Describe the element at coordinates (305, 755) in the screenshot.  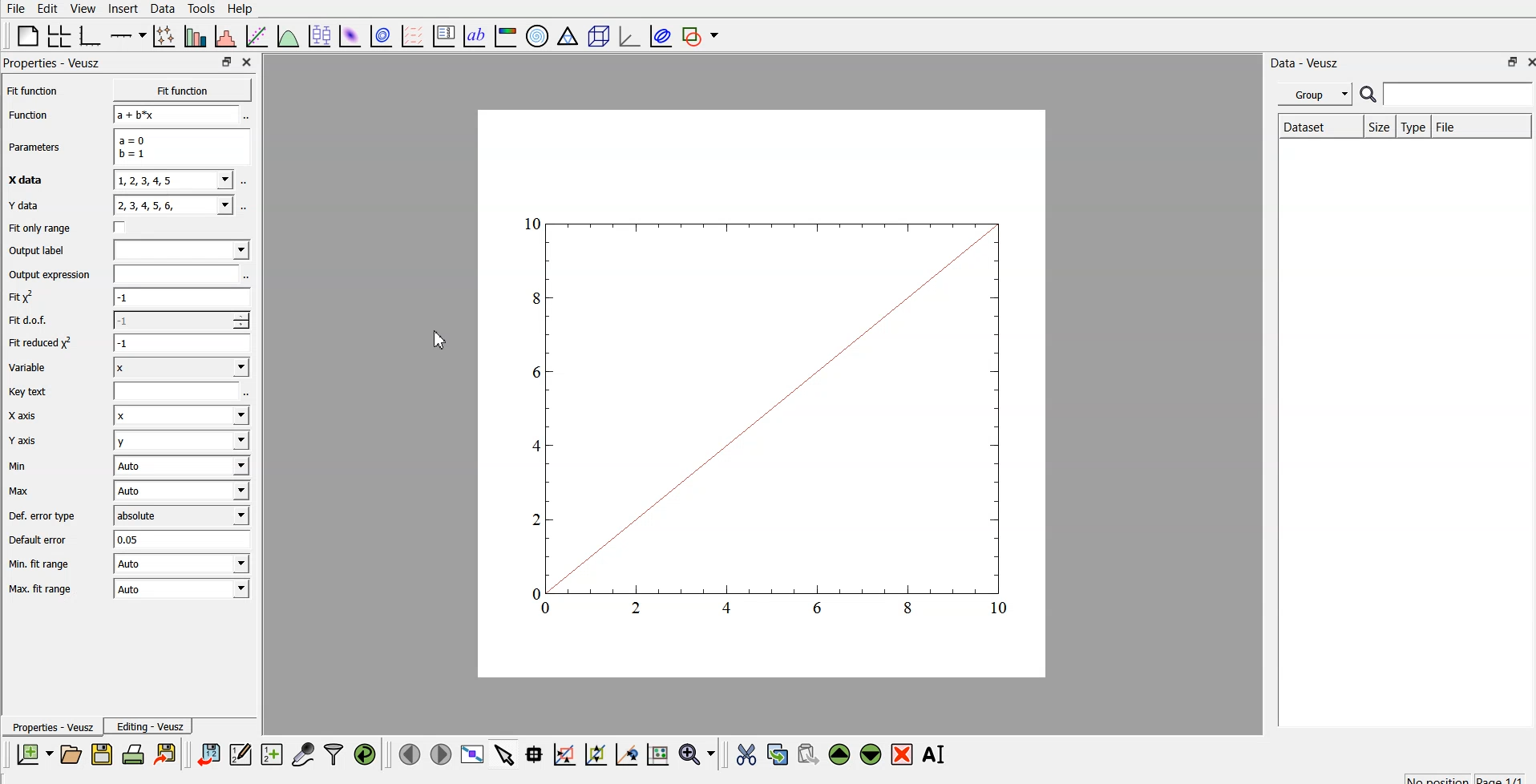
I see `capture remote data` at that location.